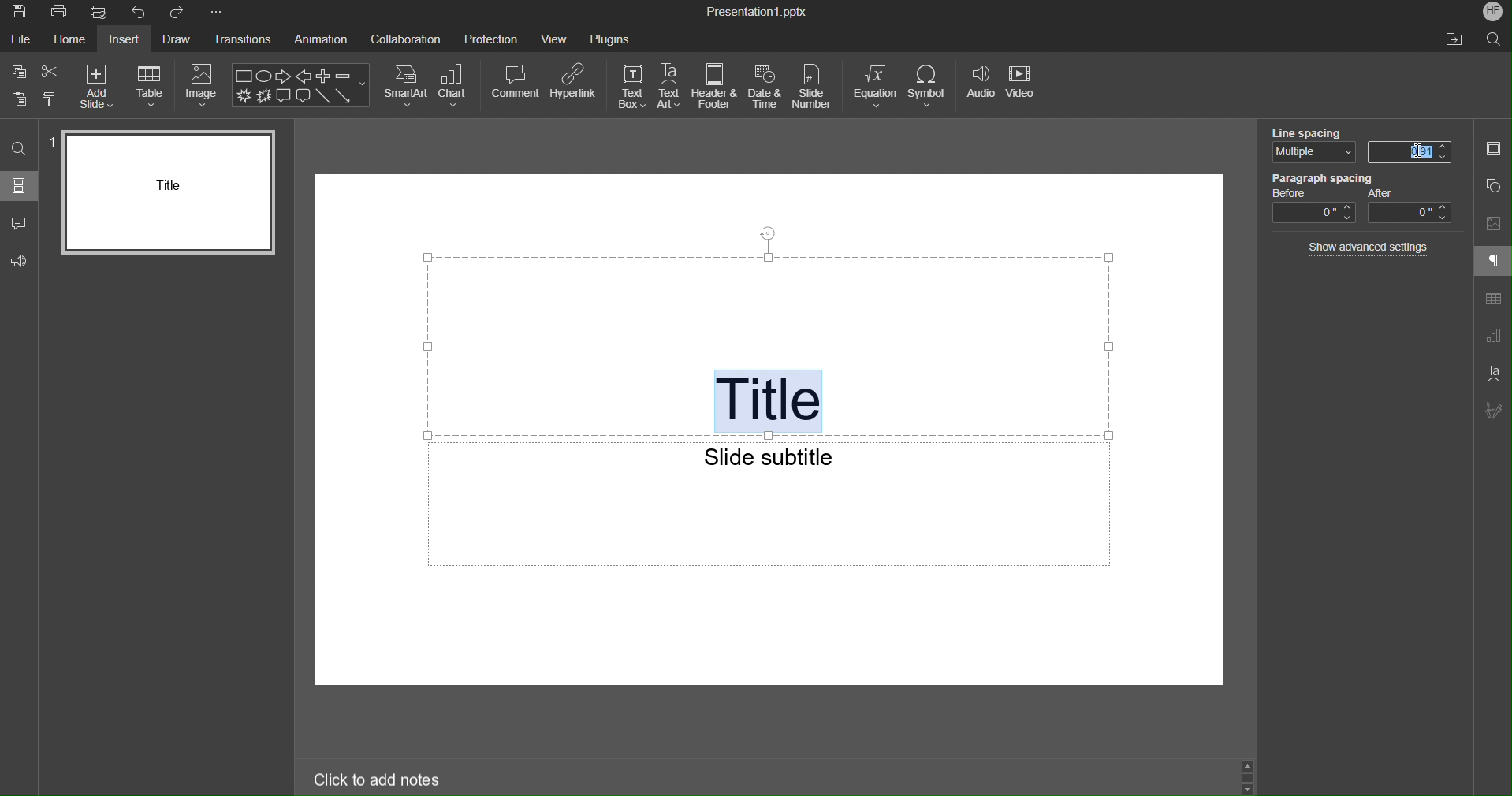 The height and width of the screenshot is (796, 1512). I want to click on Text Art, so click(1492, 373).